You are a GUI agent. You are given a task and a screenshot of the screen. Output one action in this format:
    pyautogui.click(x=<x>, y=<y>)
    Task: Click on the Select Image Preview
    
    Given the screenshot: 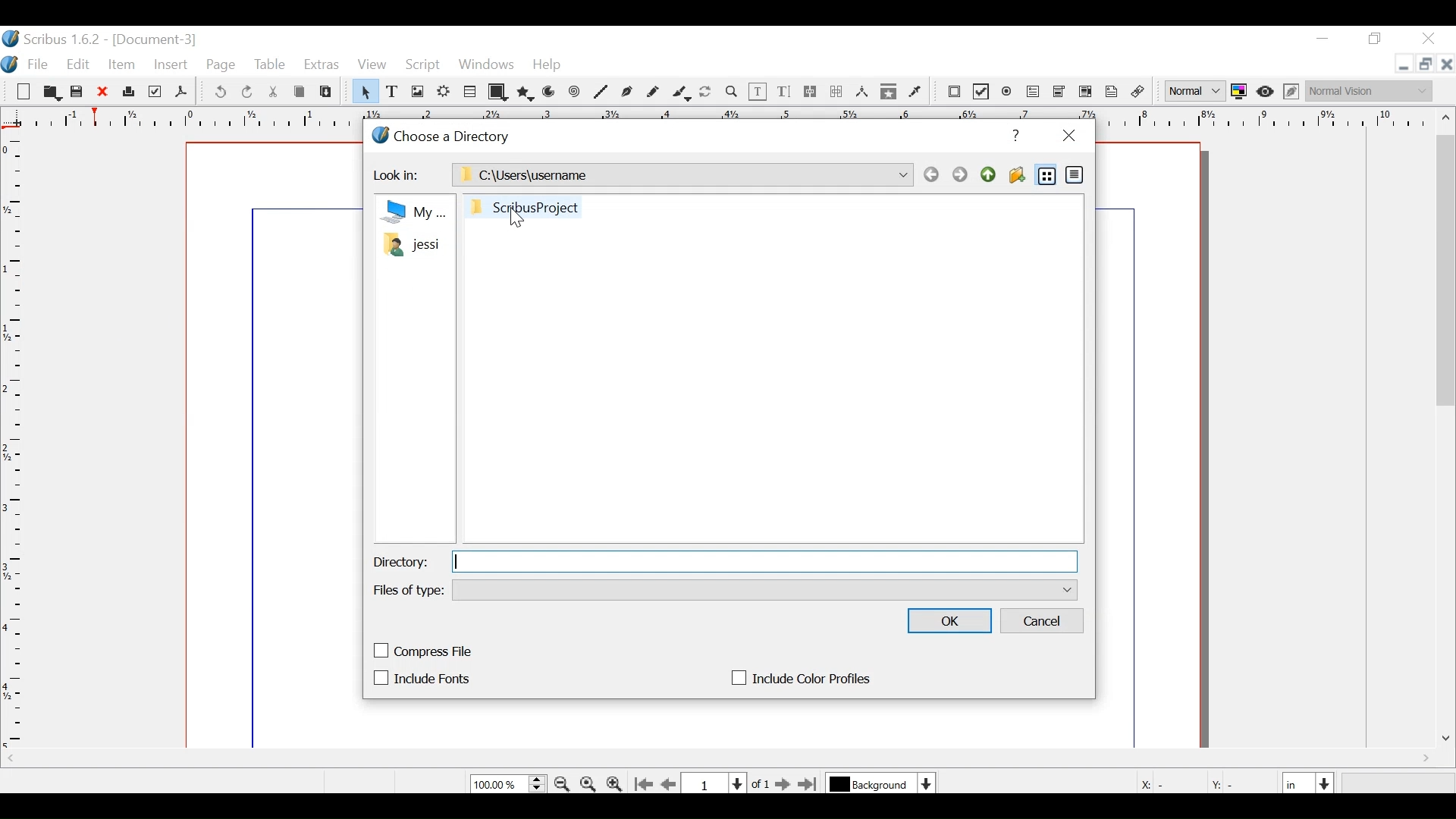 What is the action you would take?
    pyautogui.click(x=1195, y=91)
    